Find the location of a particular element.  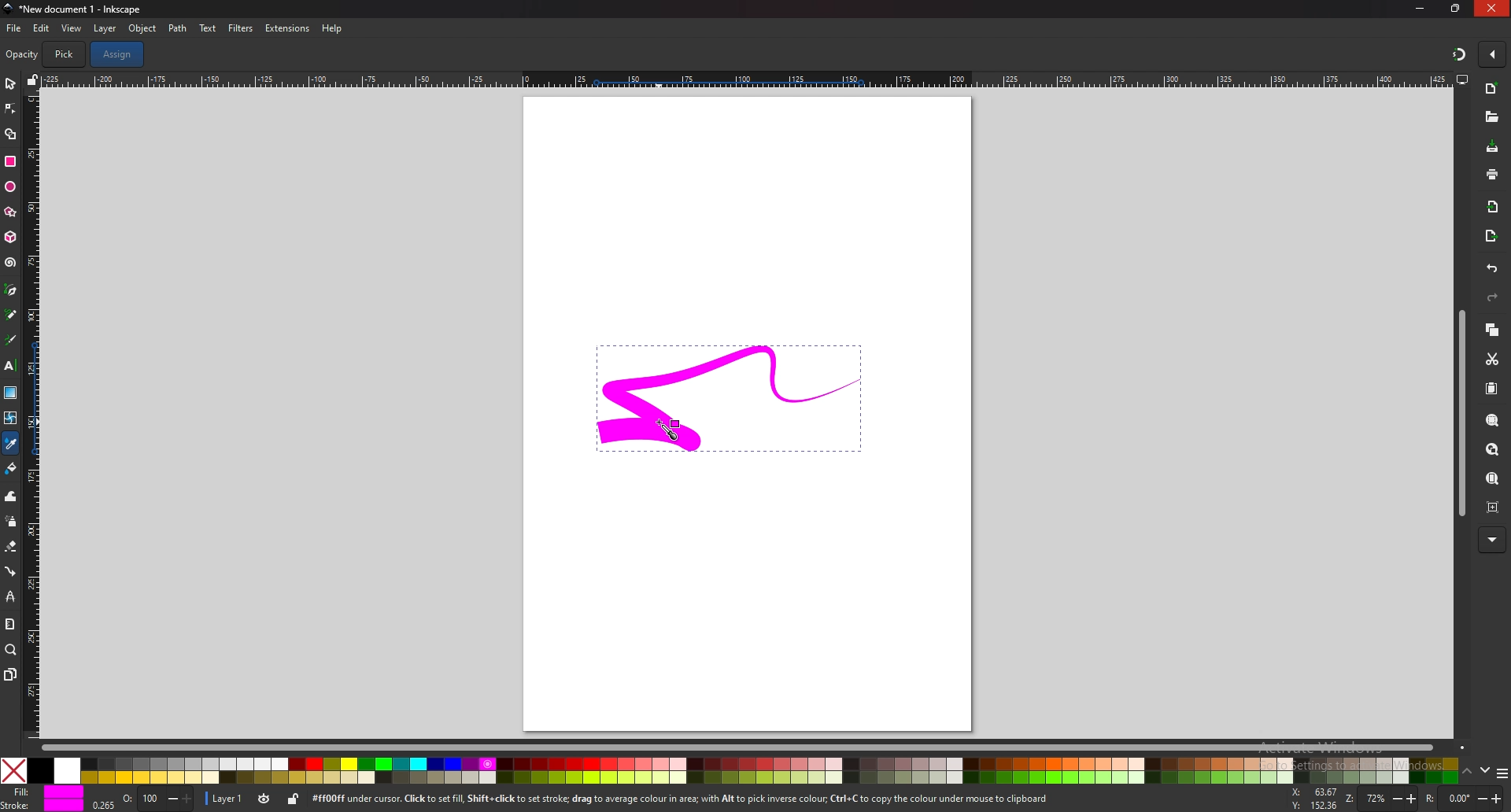

0.265 is located at coordinates (101, 804).